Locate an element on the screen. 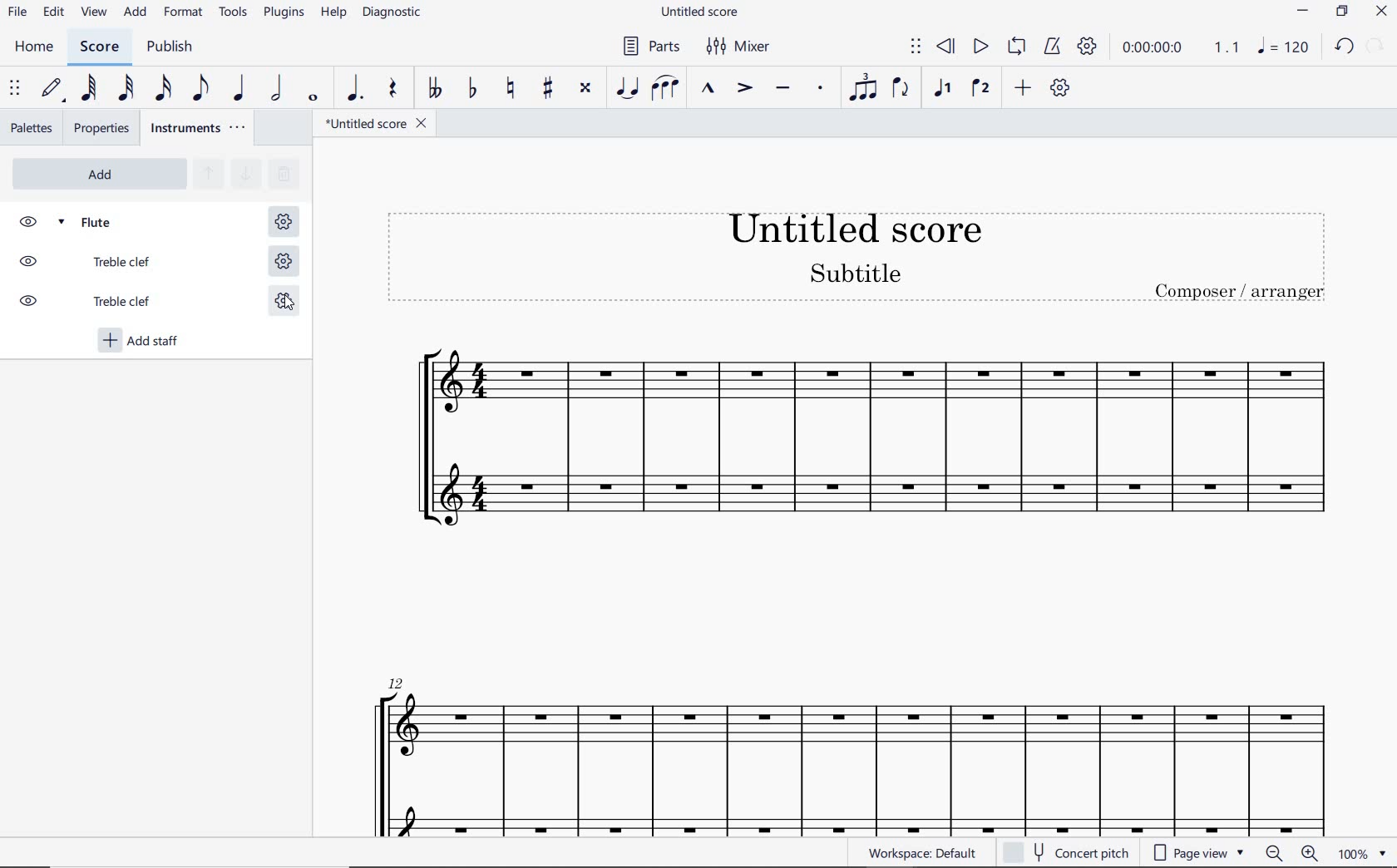 This screenshot has height=868, width=1397. CUSTOMIZE TOOLBAR is located at coordinates (1060, 87).